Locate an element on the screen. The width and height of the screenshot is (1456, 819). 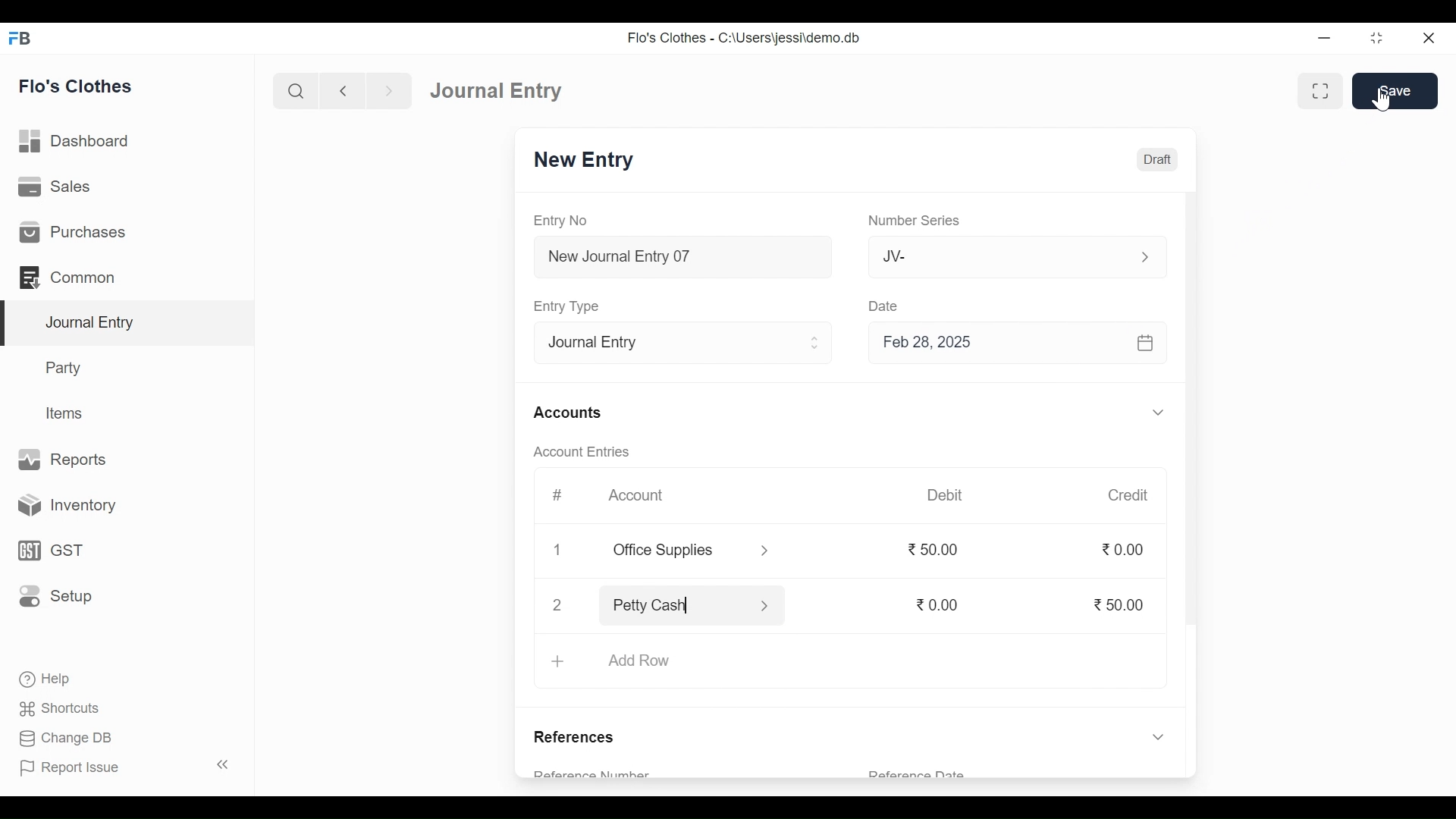
Journal Entry is located at coordinates (502, 90).